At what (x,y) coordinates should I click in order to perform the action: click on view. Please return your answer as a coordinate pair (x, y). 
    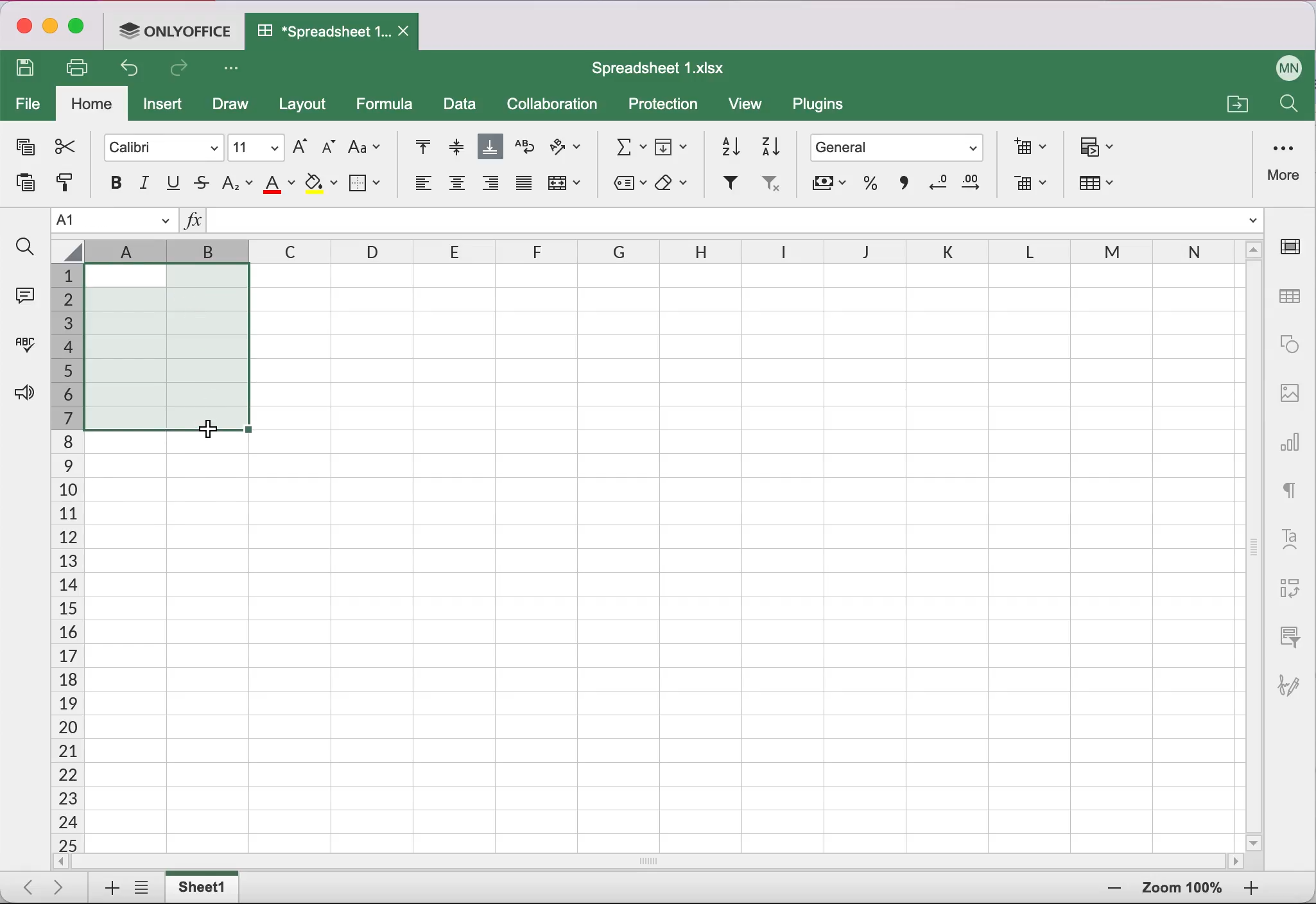
    Looking at the image, I should click on (751, 107).